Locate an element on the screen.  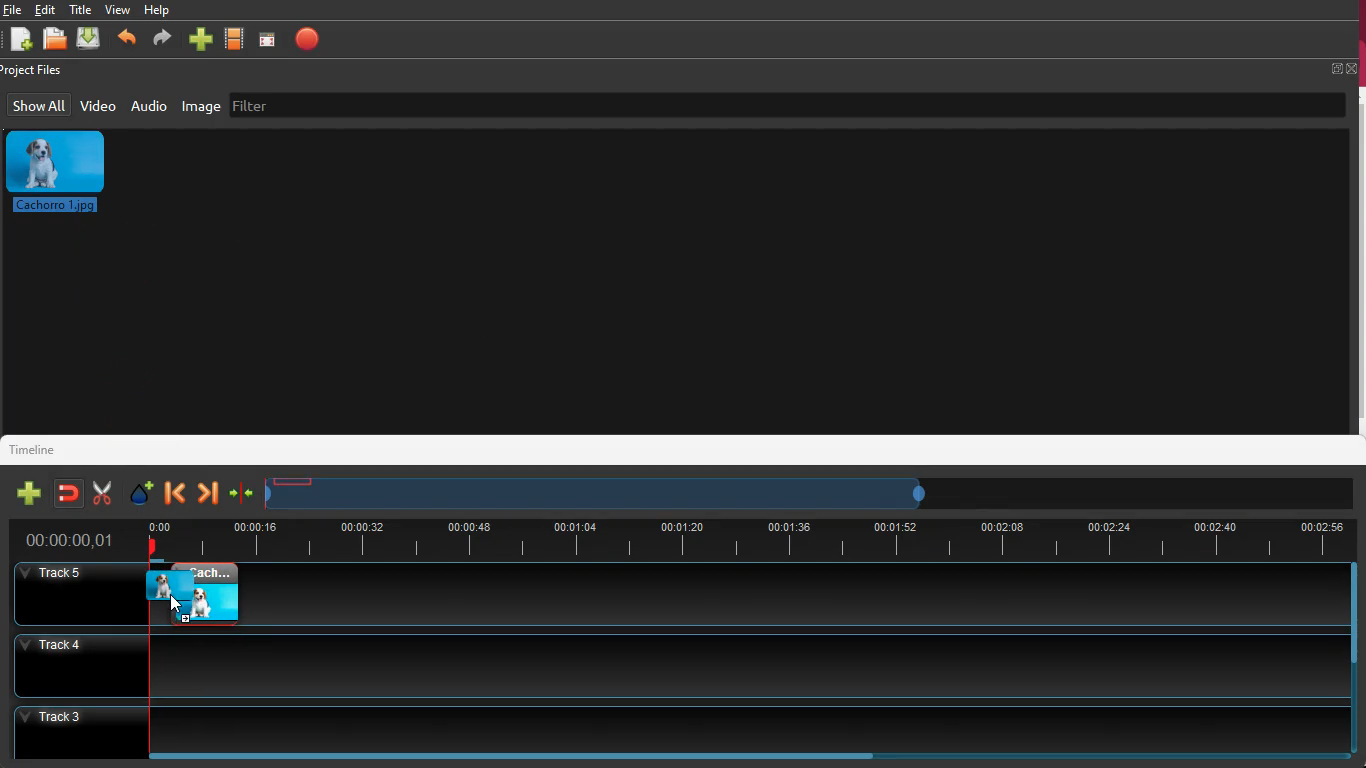
timeline is located at coordinates (602, 493).